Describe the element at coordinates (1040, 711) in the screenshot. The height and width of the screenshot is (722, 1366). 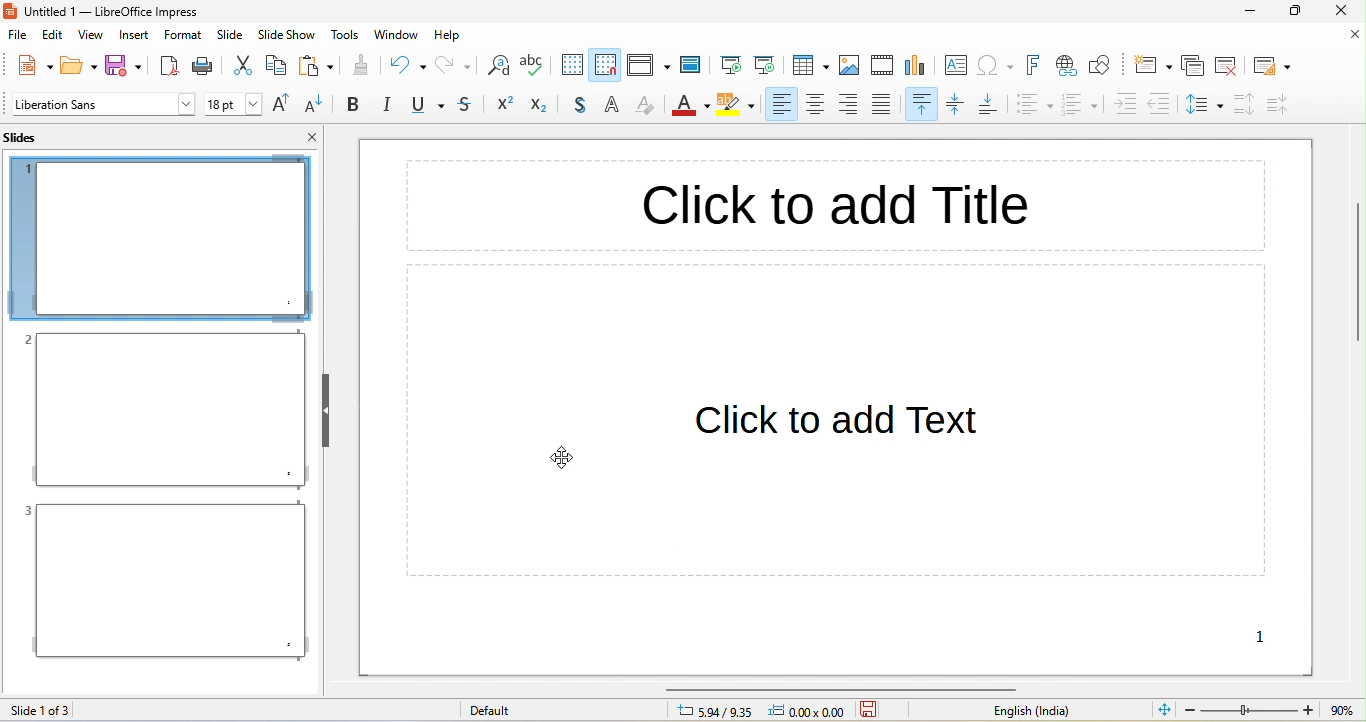
I see `text language` at that location.